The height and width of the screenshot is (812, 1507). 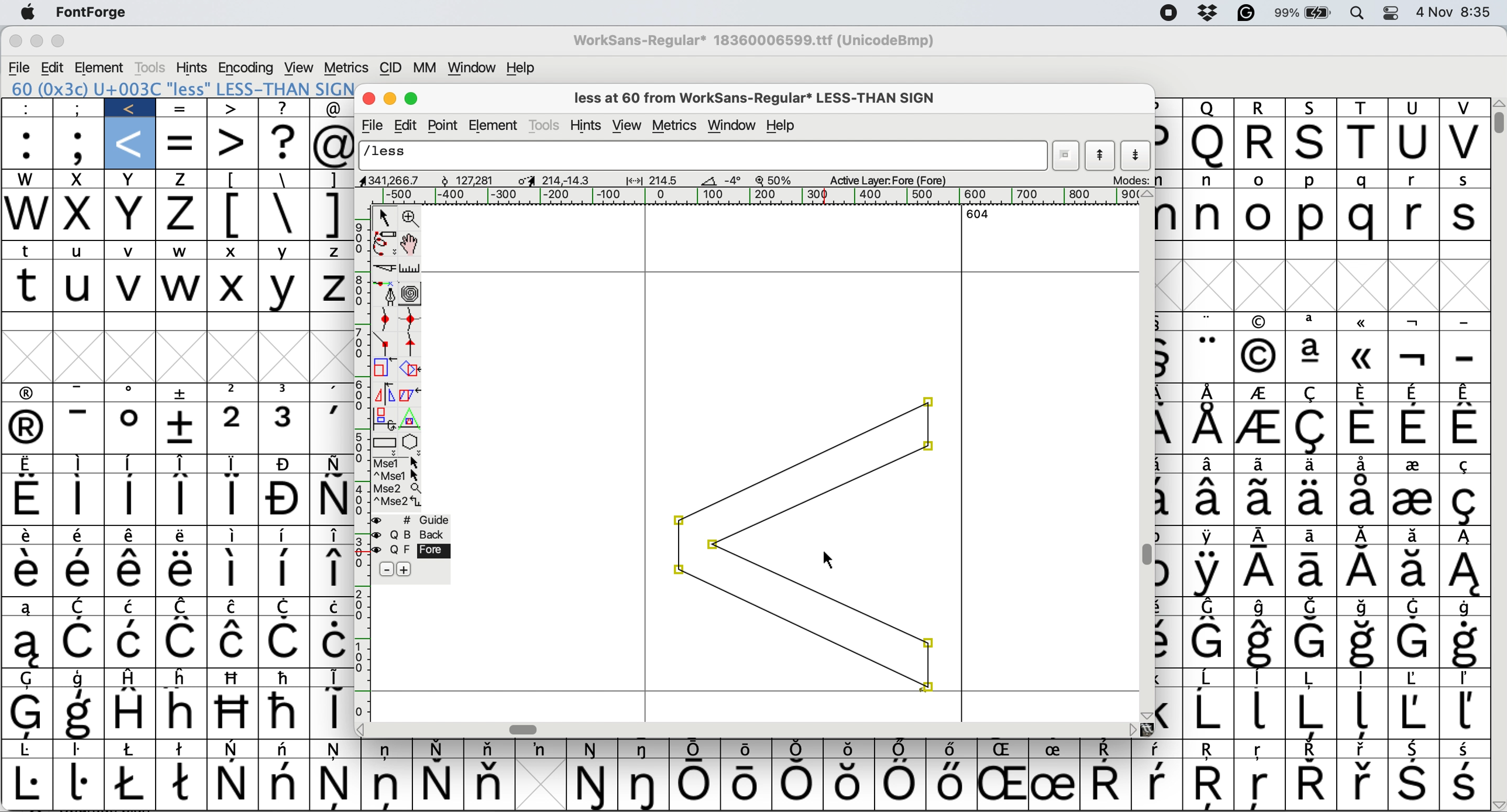 I want to click on select, so click(x=383, y=219).